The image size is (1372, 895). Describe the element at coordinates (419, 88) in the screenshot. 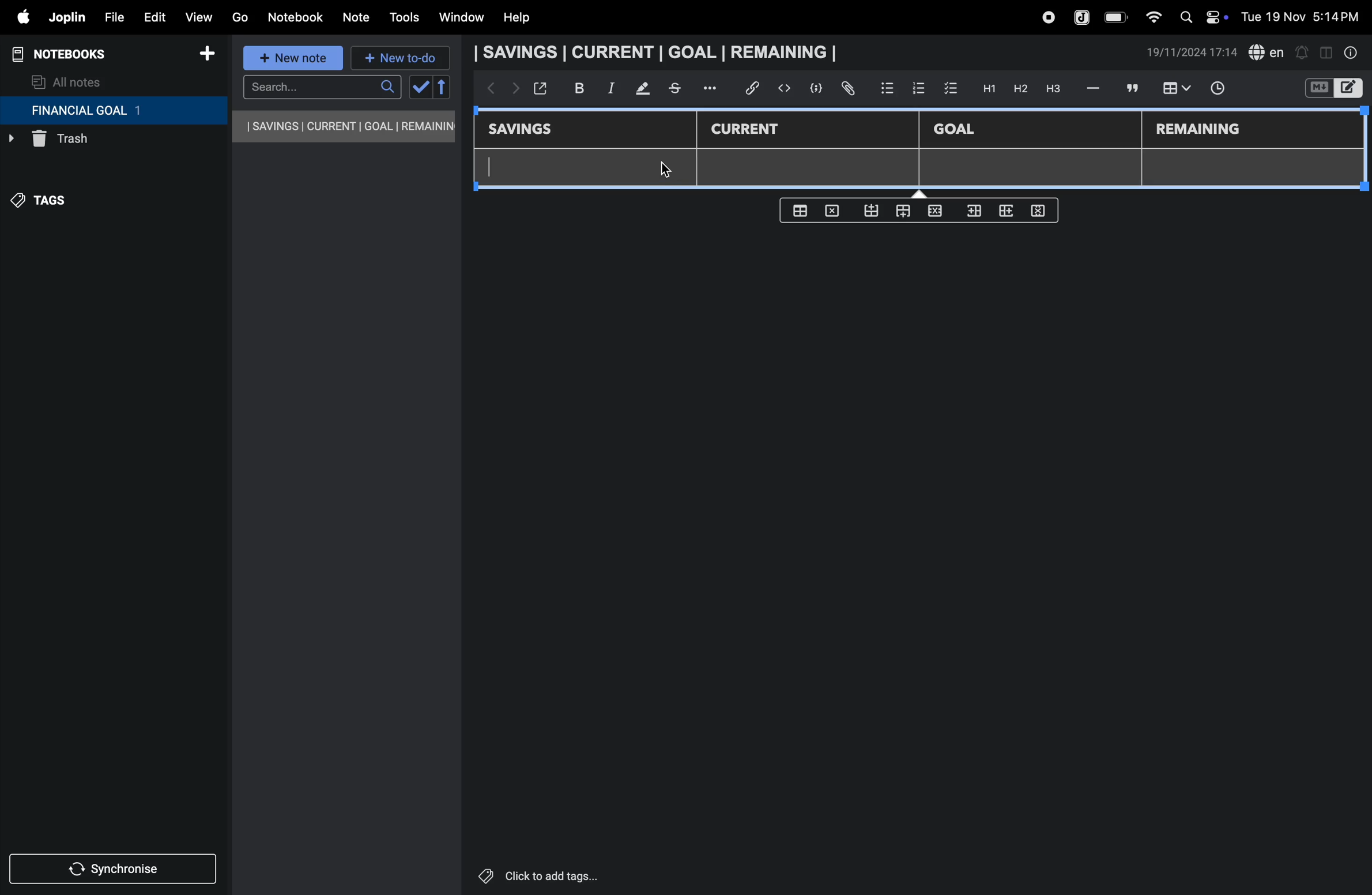

I see `check` at that location.